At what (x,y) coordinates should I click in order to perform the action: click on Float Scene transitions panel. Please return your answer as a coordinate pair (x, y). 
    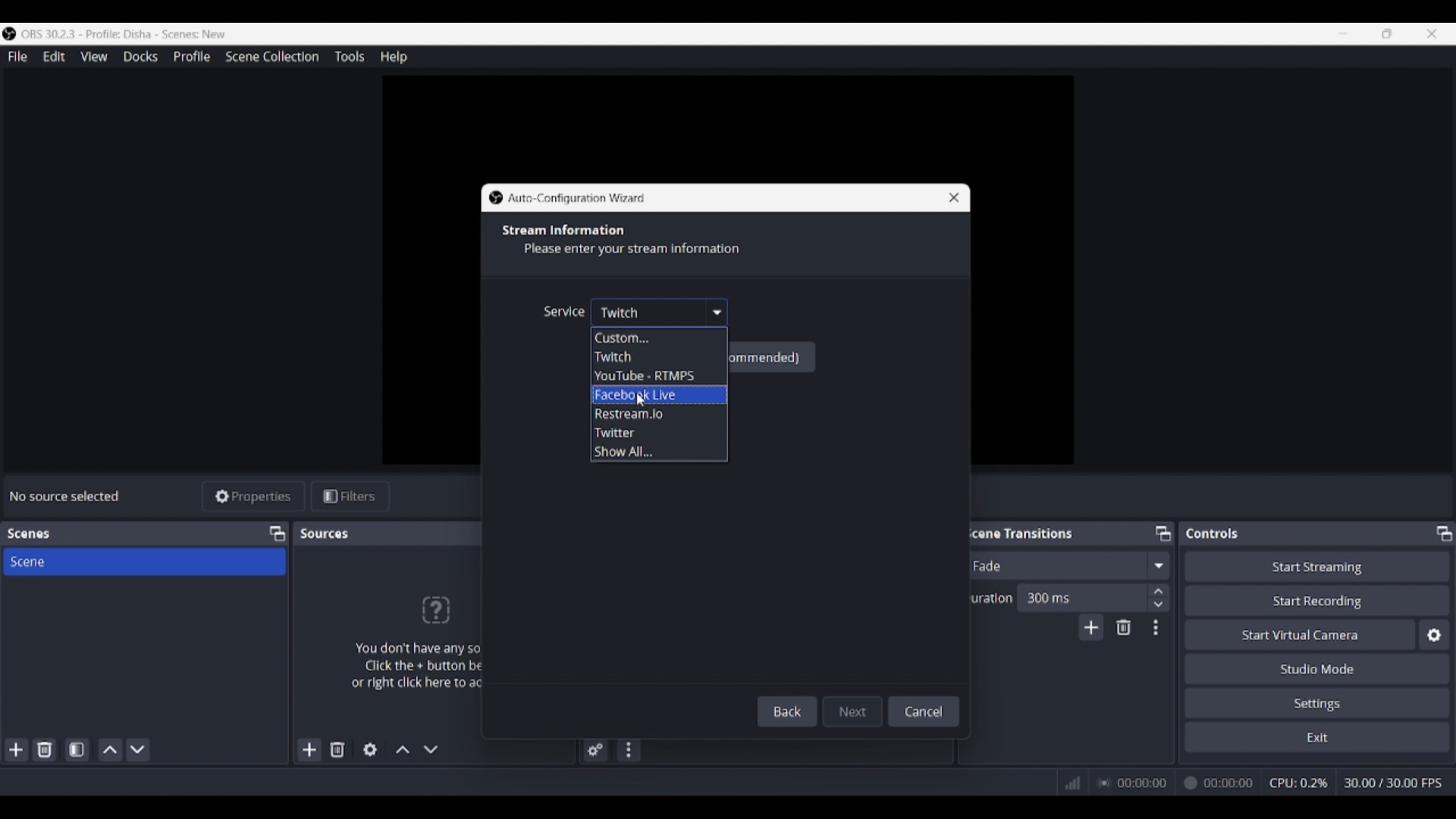
    Looking at the image, I should click on (1163, 533).